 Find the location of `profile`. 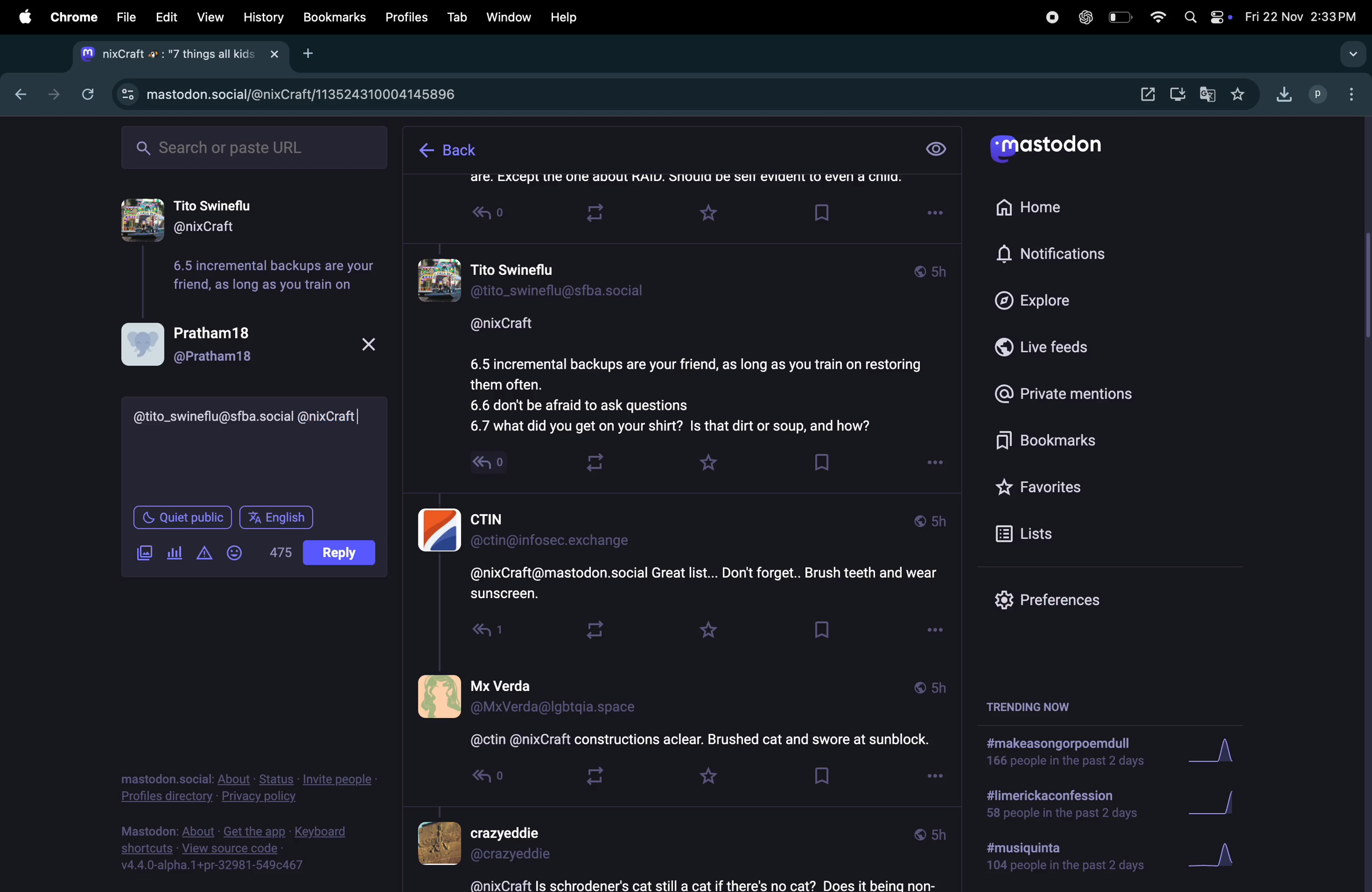

profile is located at coordinates (1317, 96).